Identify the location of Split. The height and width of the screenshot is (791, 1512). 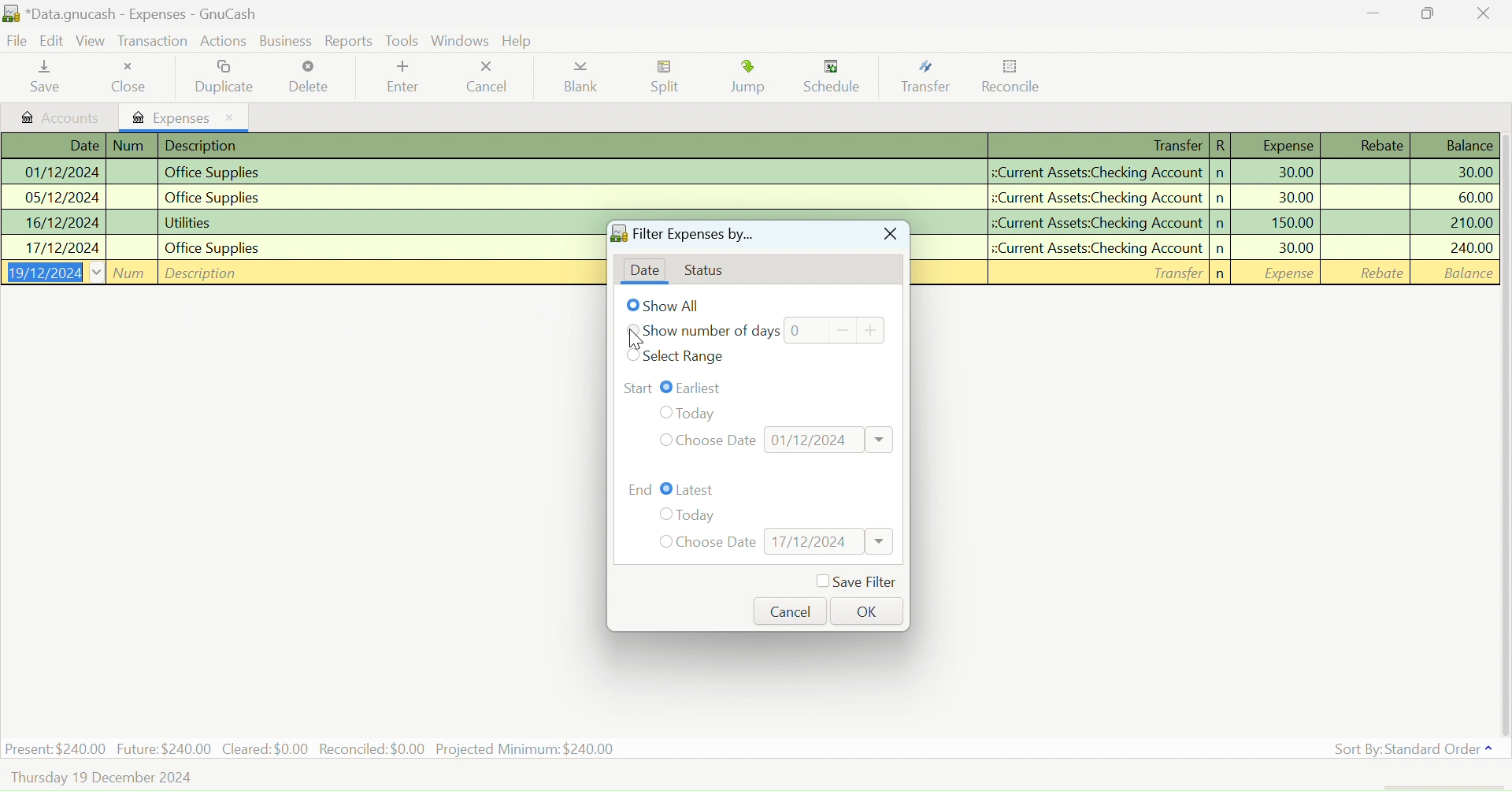
(669, 79).